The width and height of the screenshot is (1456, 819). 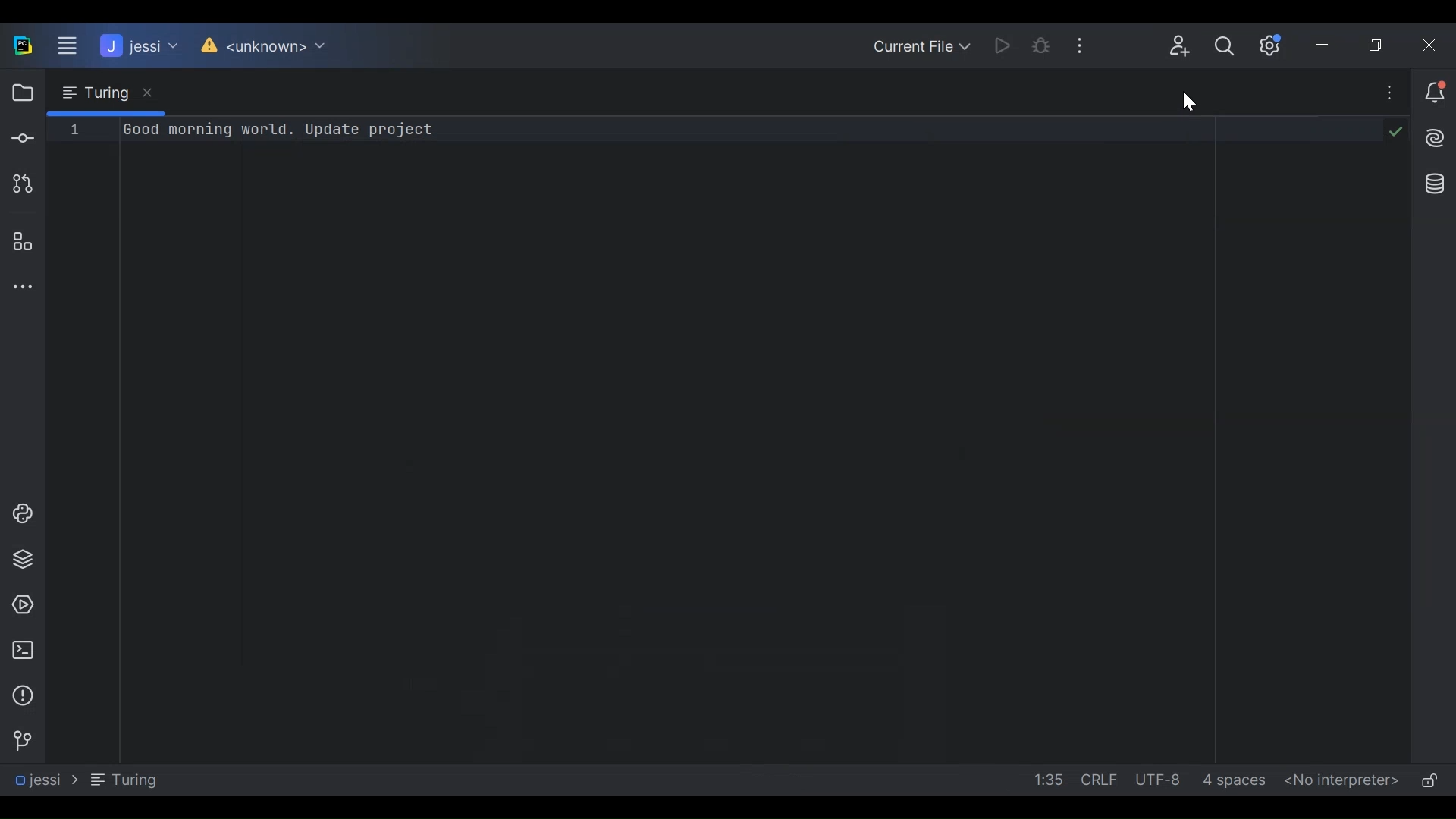 What do you see at coordinates (1185, 99) in the screenshot?
I see `Cursor` at bounding box center [1185, 99].